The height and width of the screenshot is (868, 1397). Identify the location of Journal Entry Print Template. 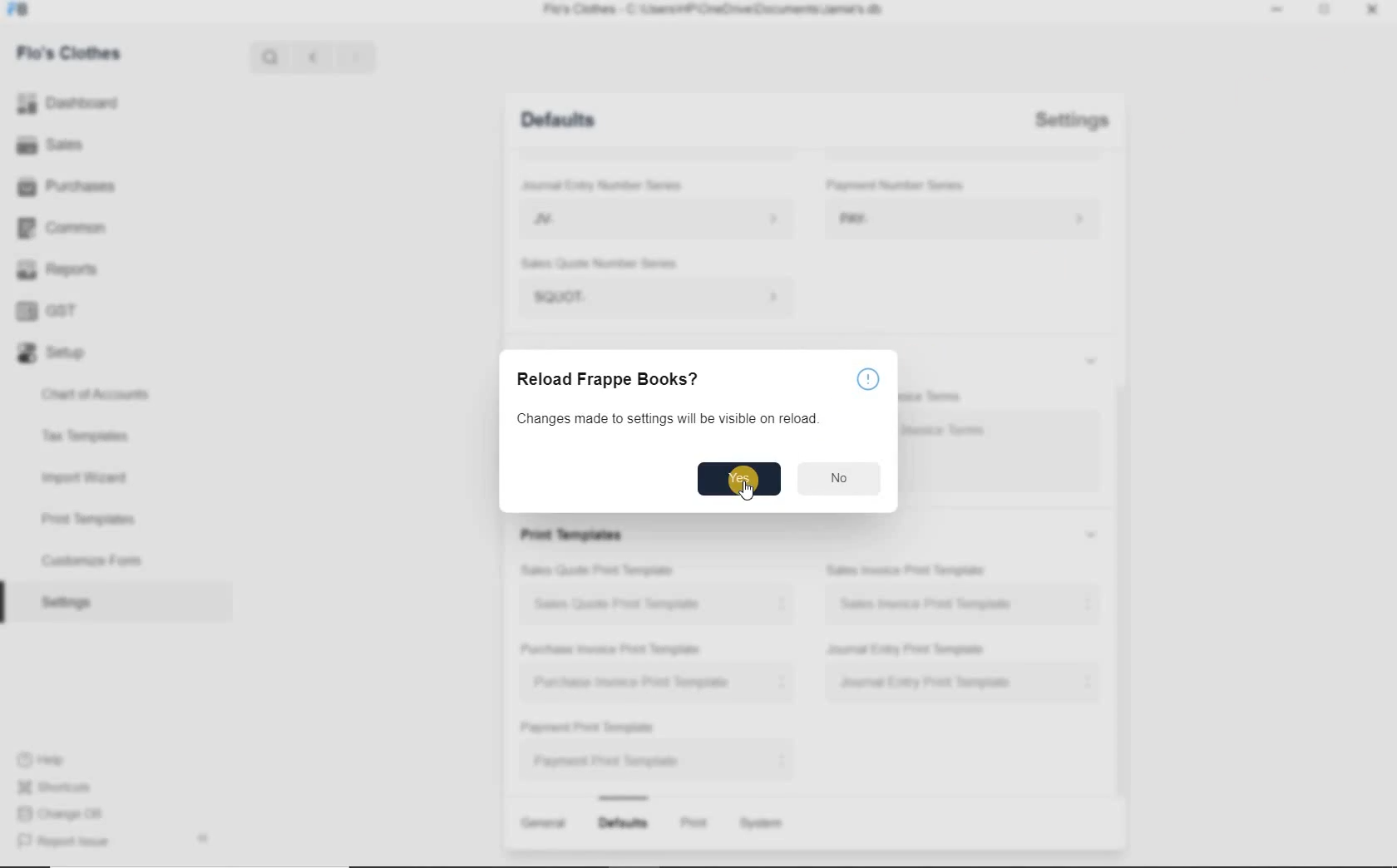
(907, 648).